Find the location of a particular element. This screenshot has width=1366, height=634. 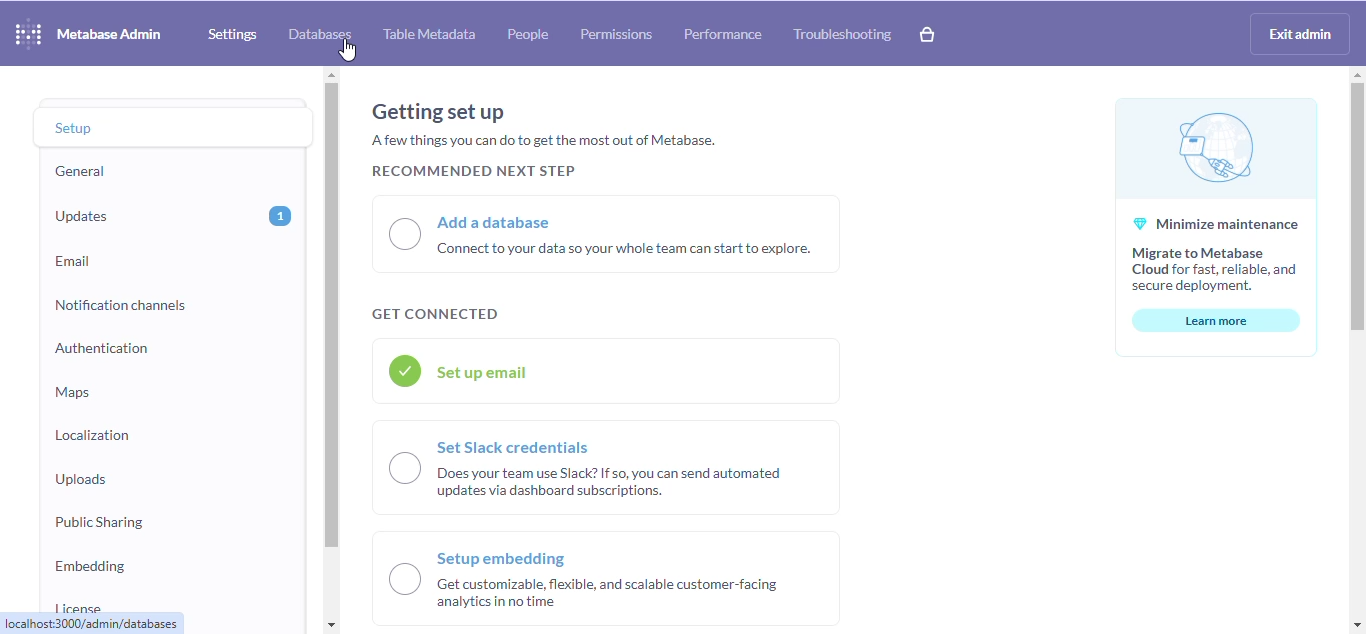

add a database is located at coordinates (606, 235).